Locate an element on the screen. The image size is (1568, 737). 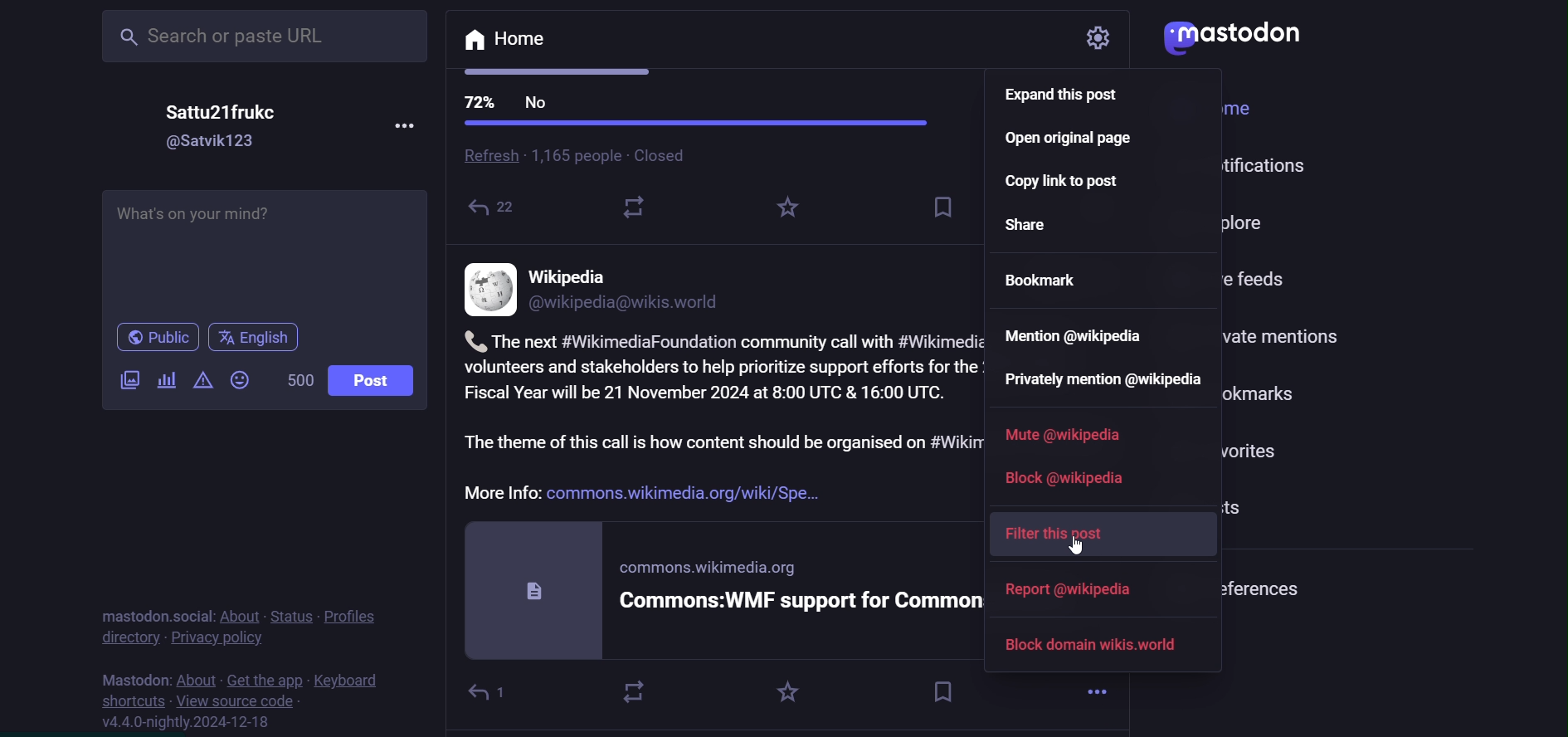
expand this post is located at coordinates (1071, 97).